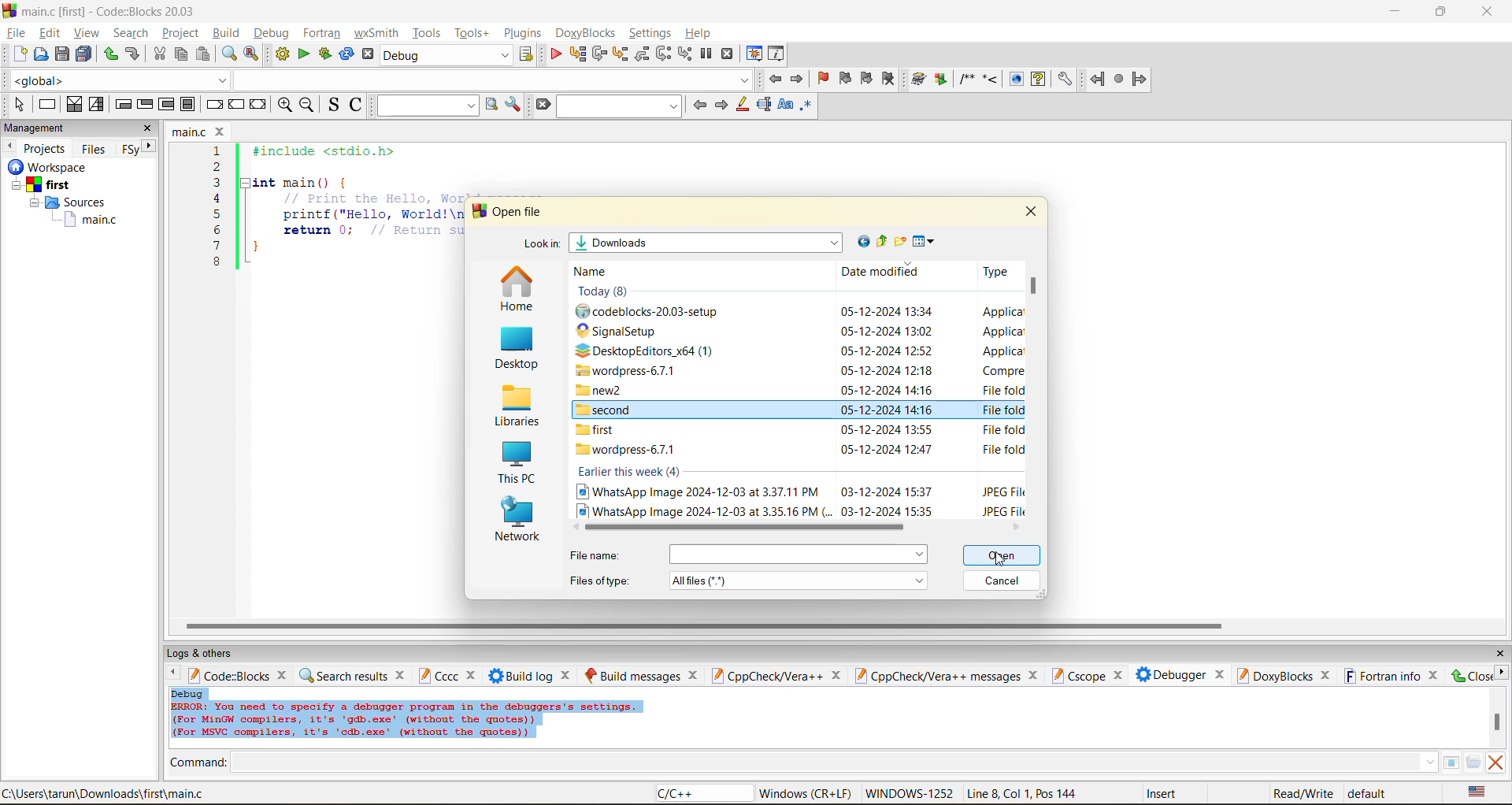  I want to click on build log, so click(521, 676).